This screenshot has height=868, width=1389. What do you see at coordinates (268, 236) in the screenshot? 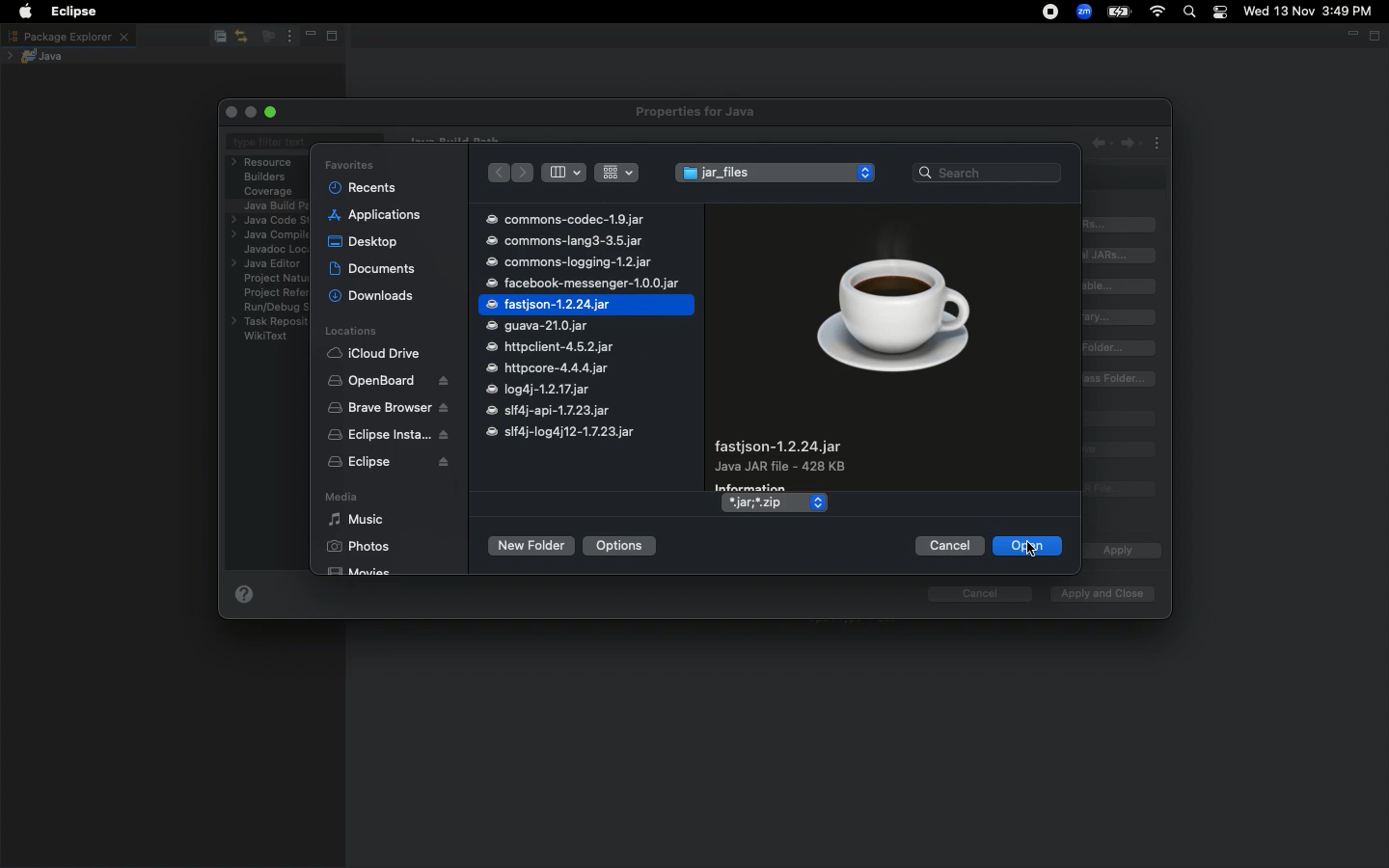
I see `Java compiler` at bounding box center [268, 236].